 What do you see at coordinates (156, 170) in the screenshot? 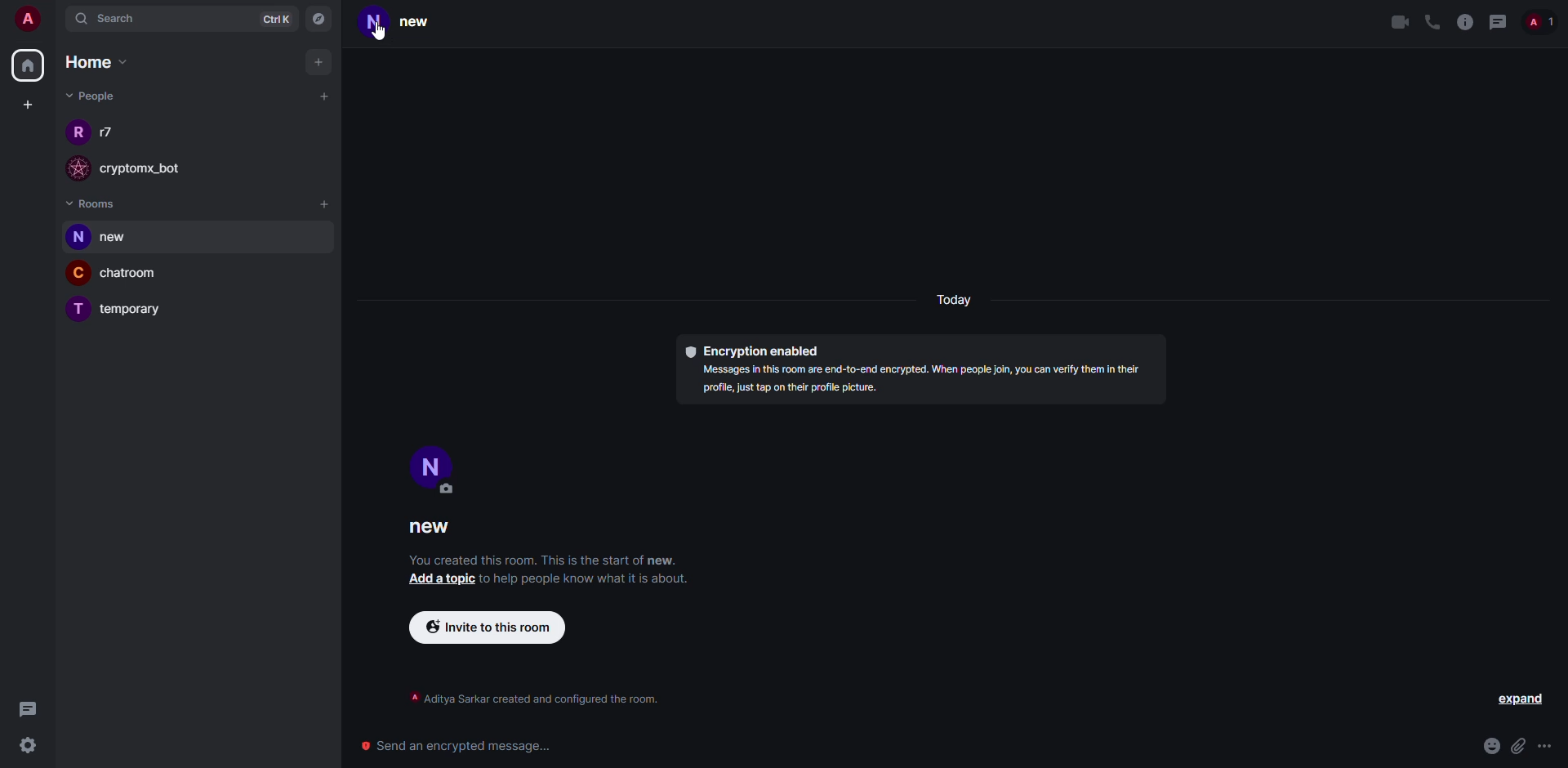
I see `bot` at bounding box center [156, 170].